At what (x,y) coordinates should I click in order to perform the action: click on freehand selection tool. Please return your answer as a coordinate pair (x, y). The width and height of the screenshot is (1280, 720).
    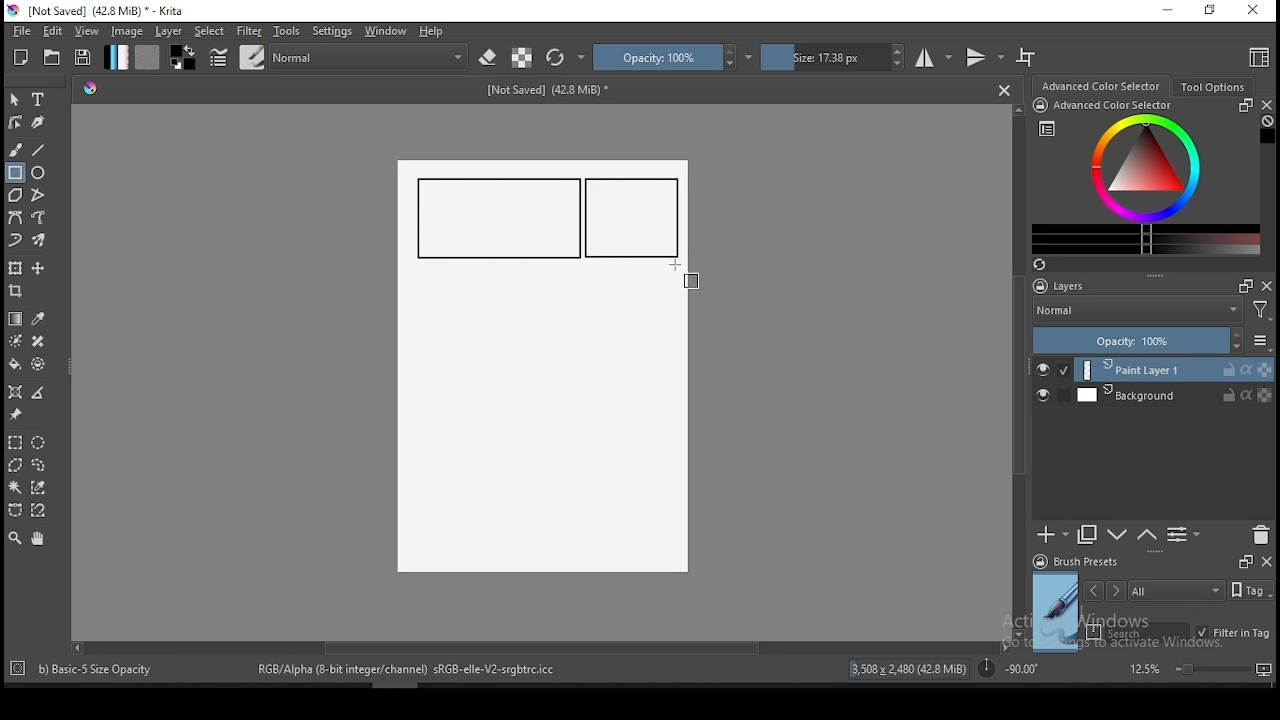
    Looking at the image, I should click on (39, 465).